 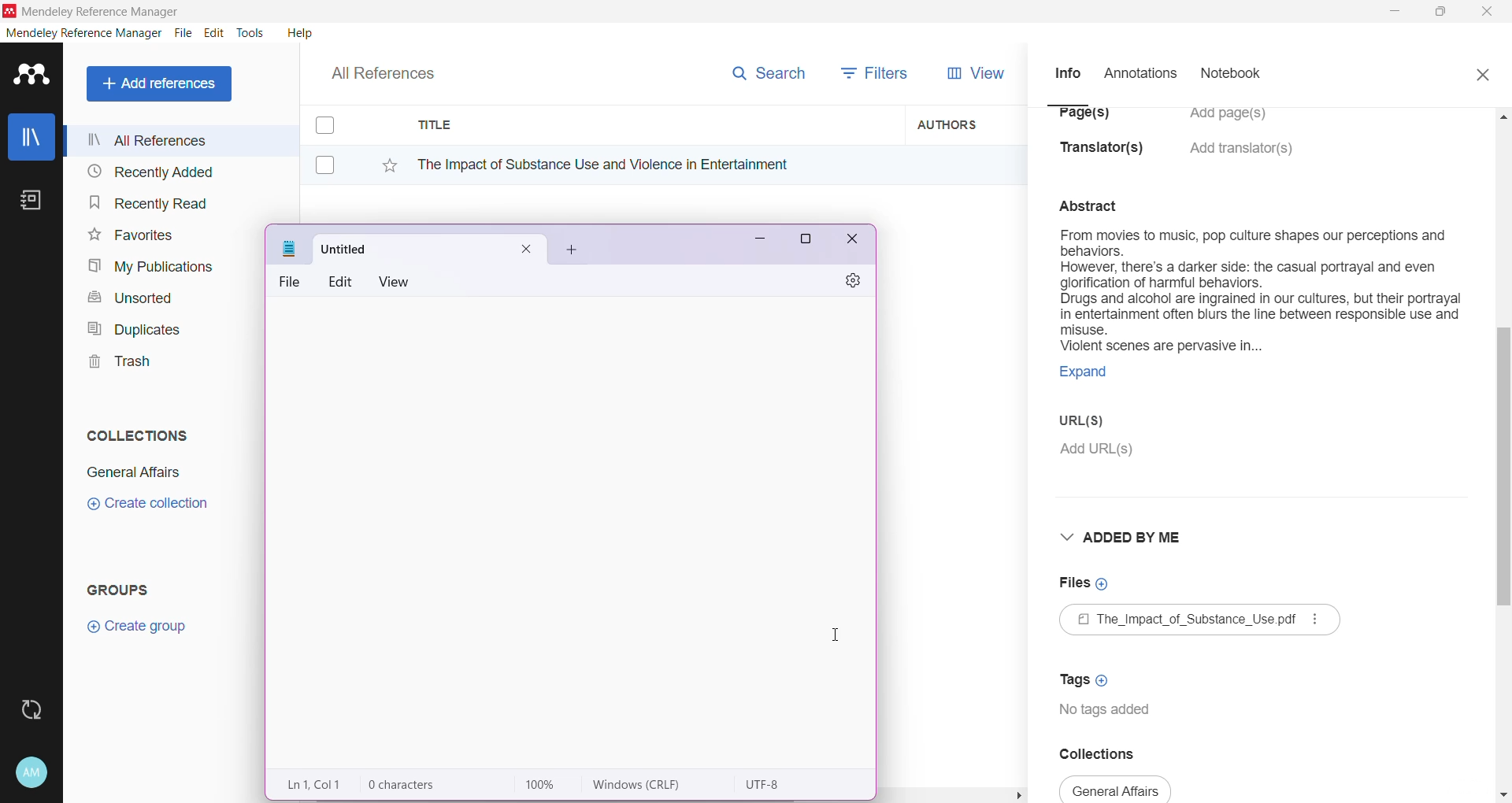 What do you see at coordinates (1259, 313) in the screenshot?
I see `Document summary selected to be copied` at bounding box center [1259, 313].